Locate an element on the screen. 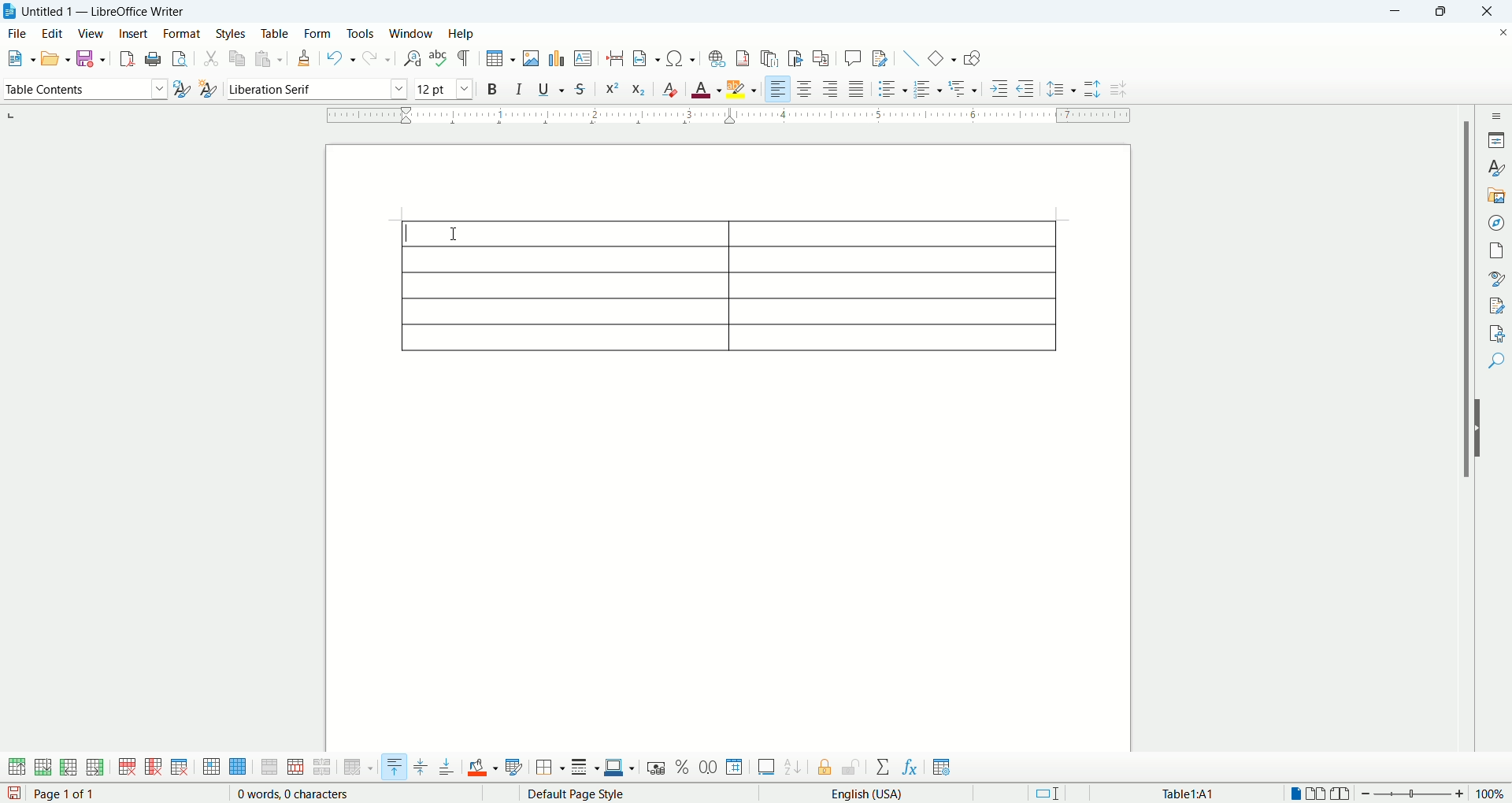 Image resolution: width=1512 pixels, height=803 pixels. find and replace is located at coordinates (414, 59).